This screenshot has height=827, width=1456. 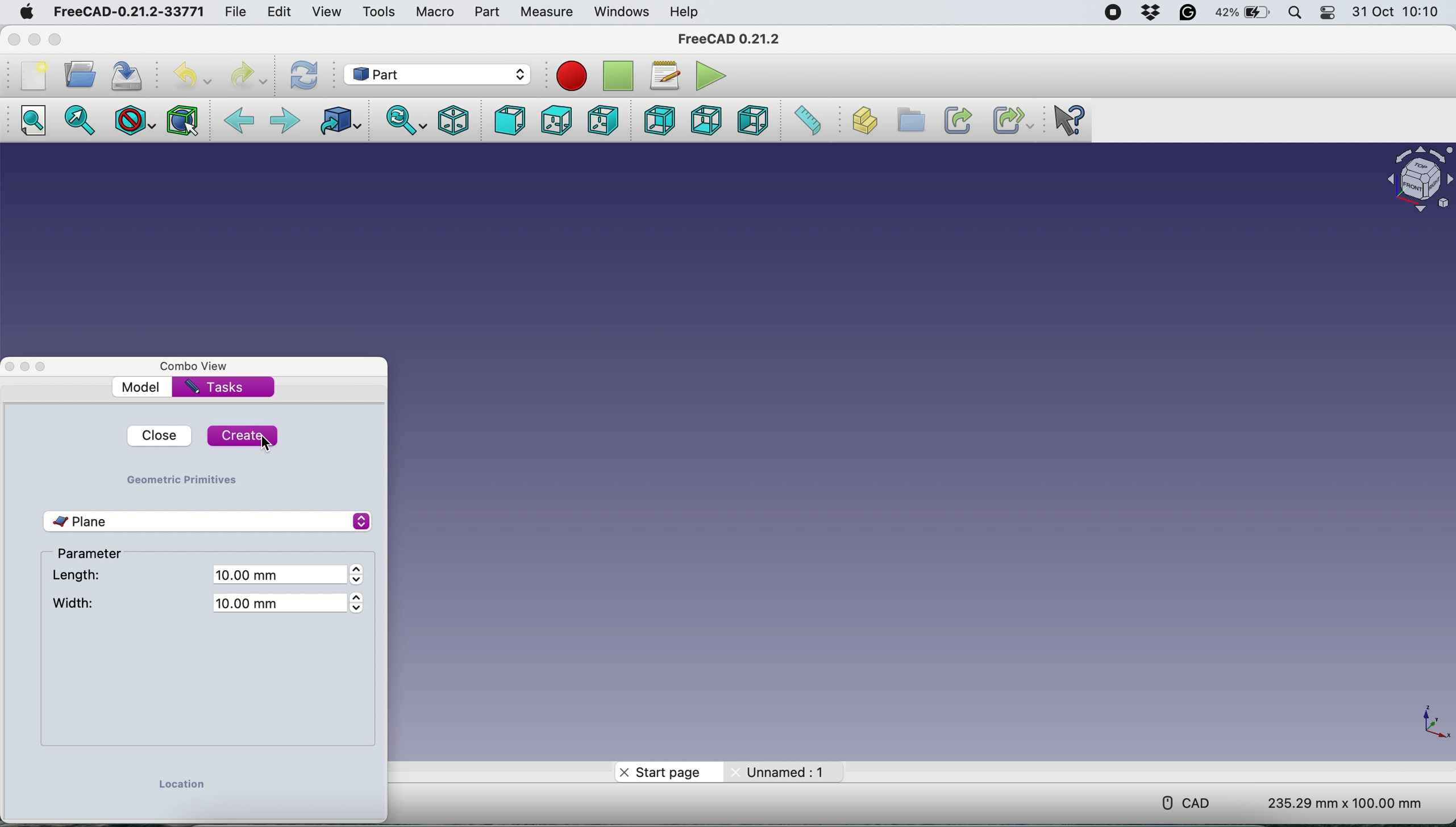 What do you see at coordinates (182, 121) in the screenshot?
I see `Bounding box` at bounding box center [182, 121].